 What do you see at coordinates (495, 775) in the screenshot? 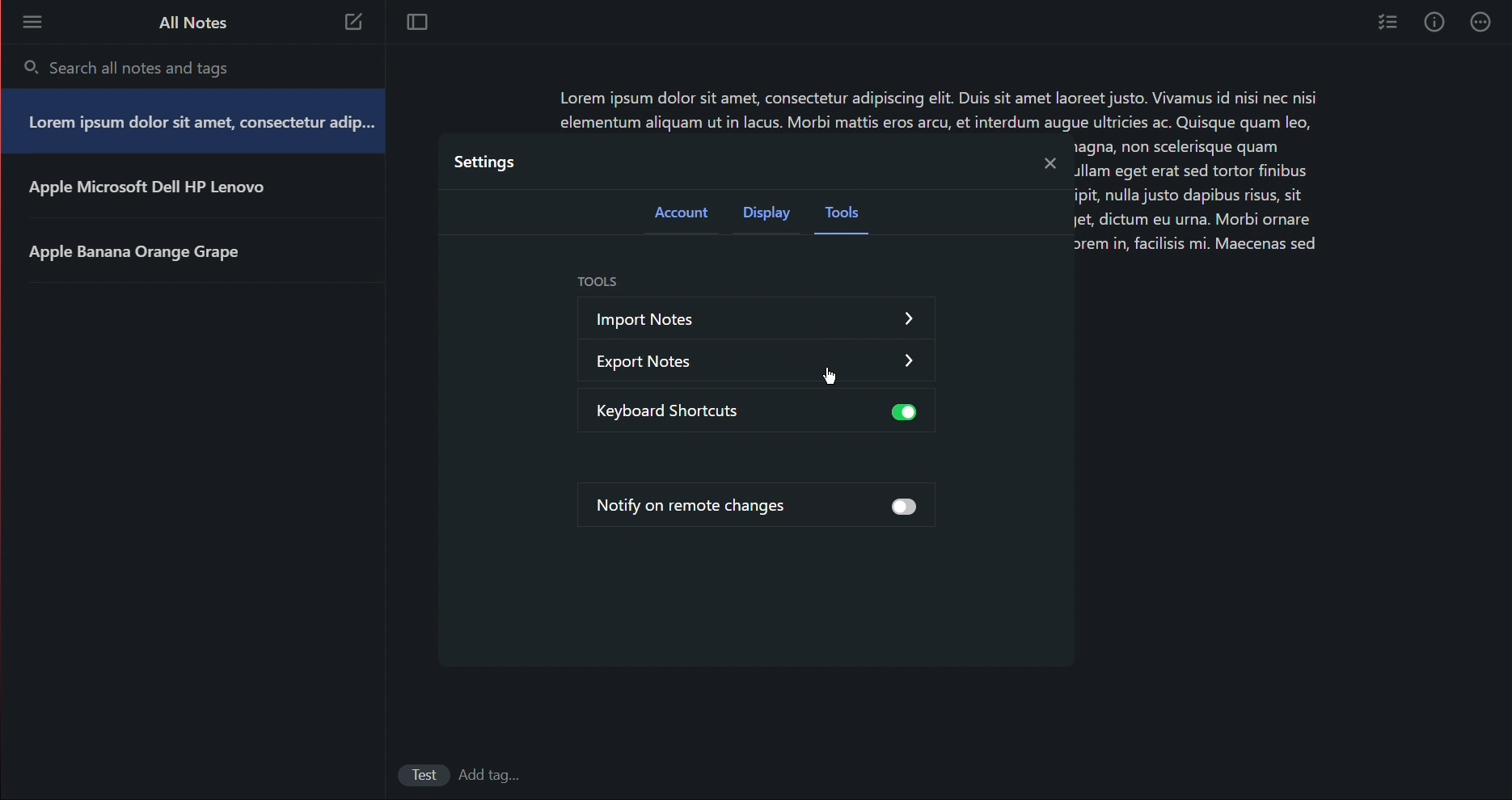
I see `add Tags` at bounding box center [495, 775].